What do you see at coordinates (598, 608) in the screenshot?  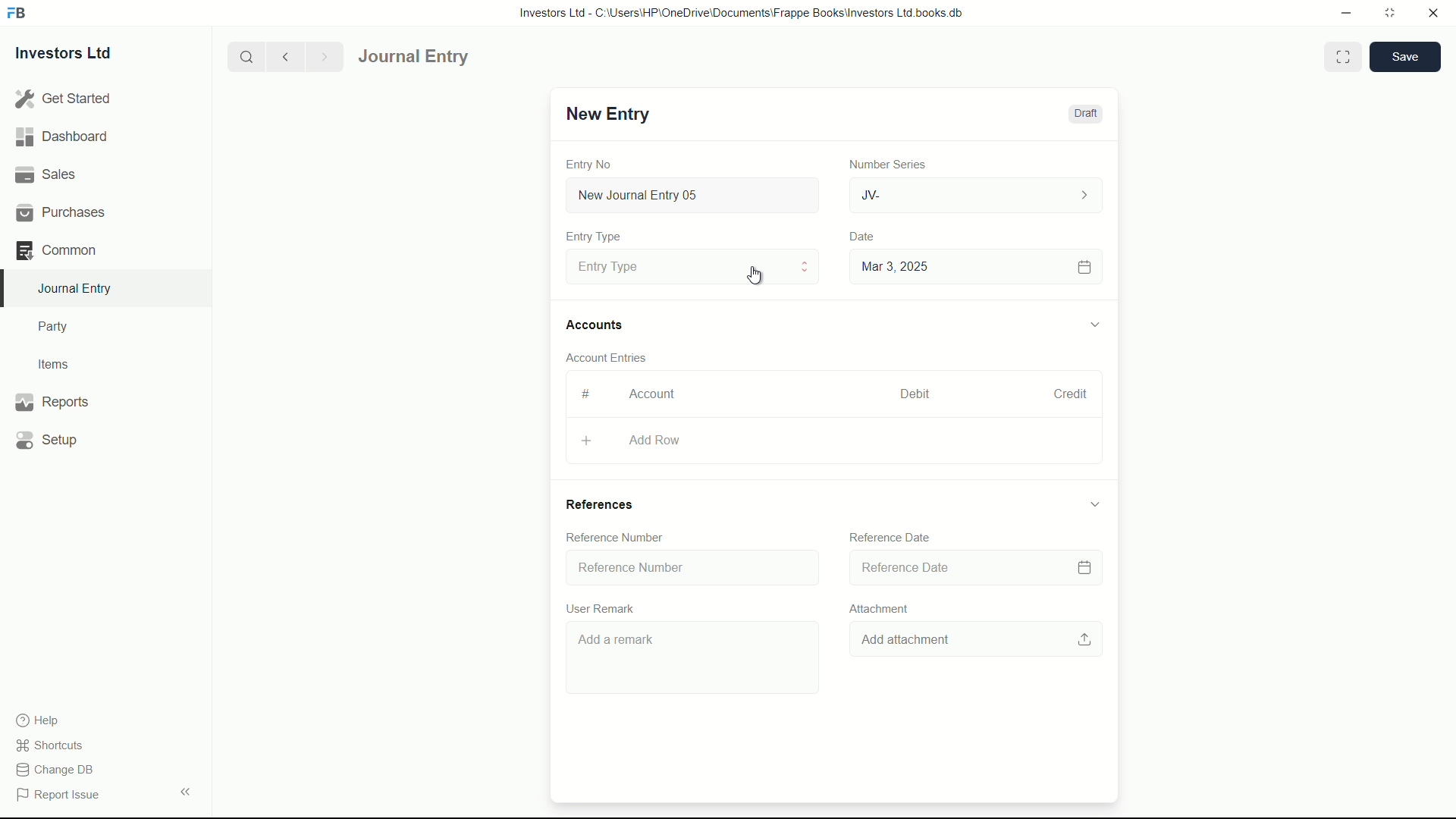 I see `User Remark` at bounding box center [598, 608].